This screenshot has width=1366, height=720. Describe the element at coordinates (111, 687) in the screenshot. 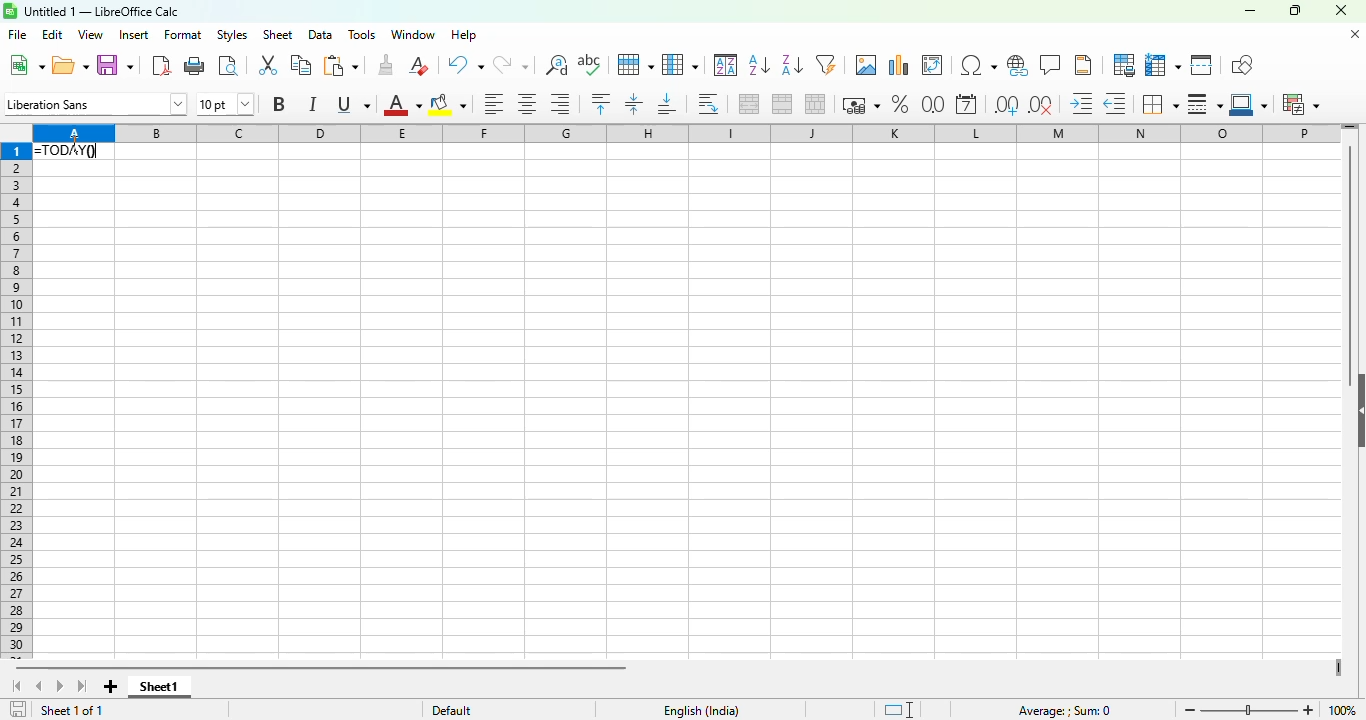

I see `add new page` at that location.